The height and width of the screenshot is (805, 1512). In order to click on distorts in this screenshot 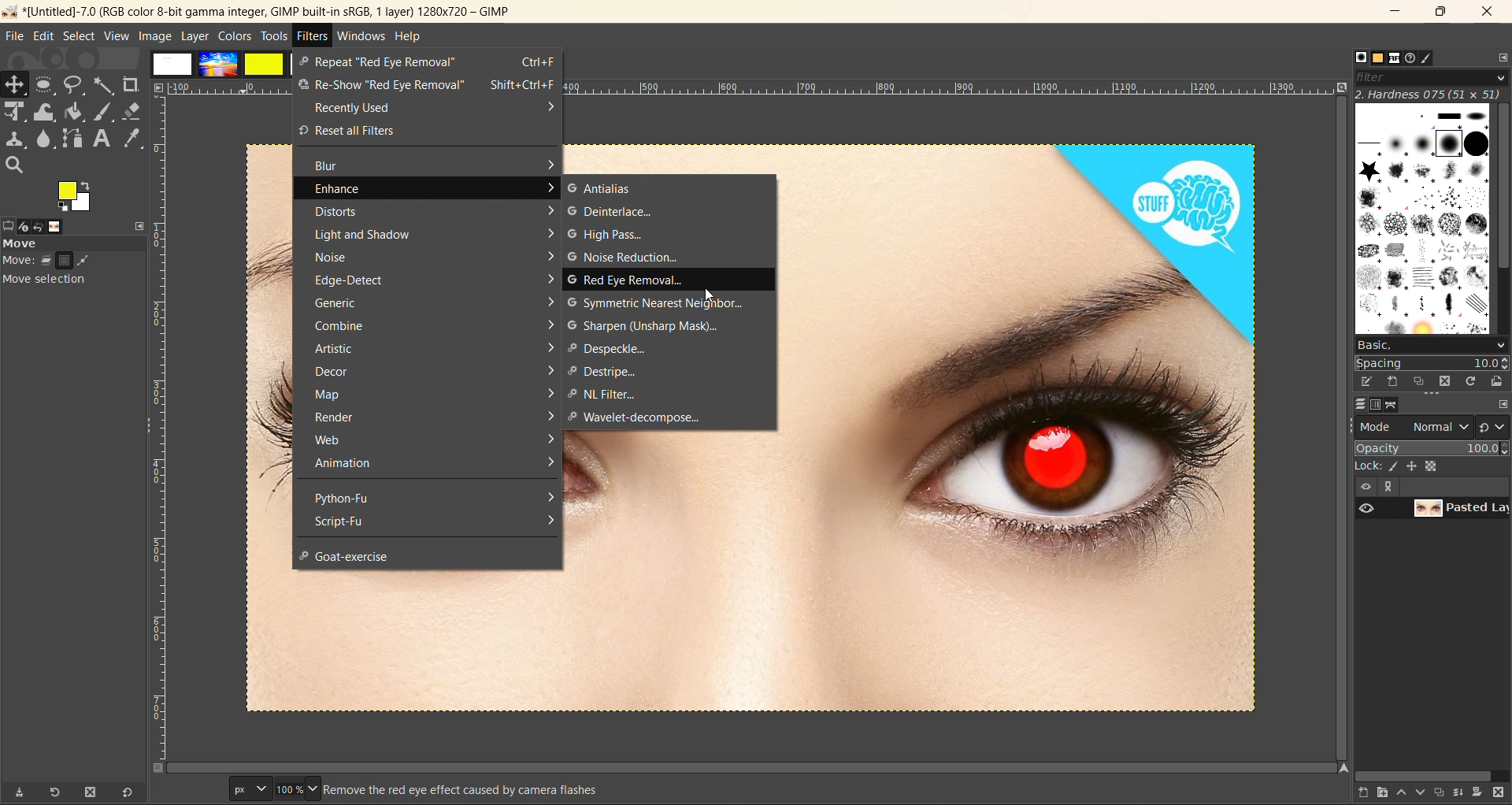, I will do `click(434, 213)`.